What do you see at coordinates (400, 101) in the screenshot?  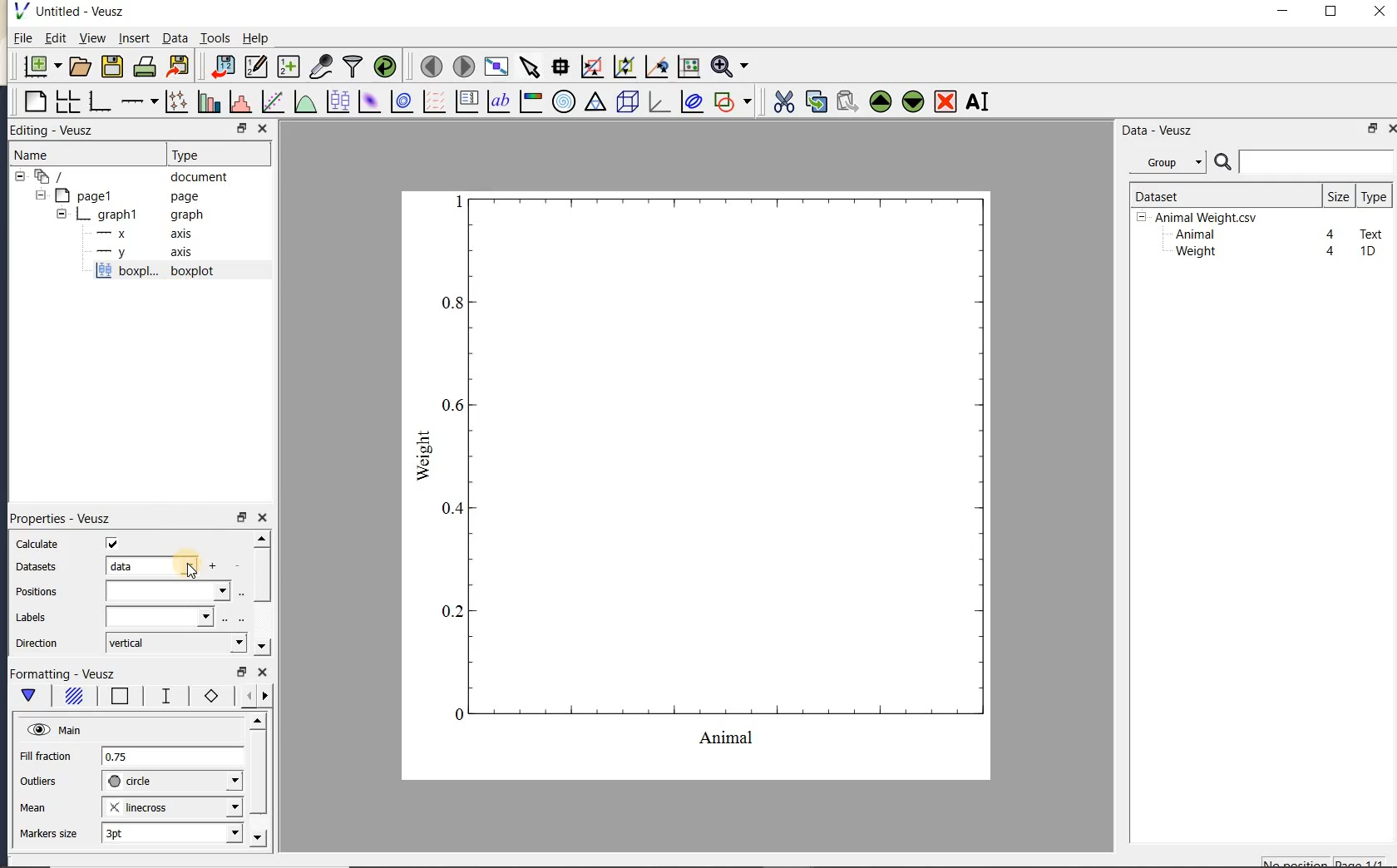 I see `plot a 2d dataset as contours` at bounding box center [400, 101].